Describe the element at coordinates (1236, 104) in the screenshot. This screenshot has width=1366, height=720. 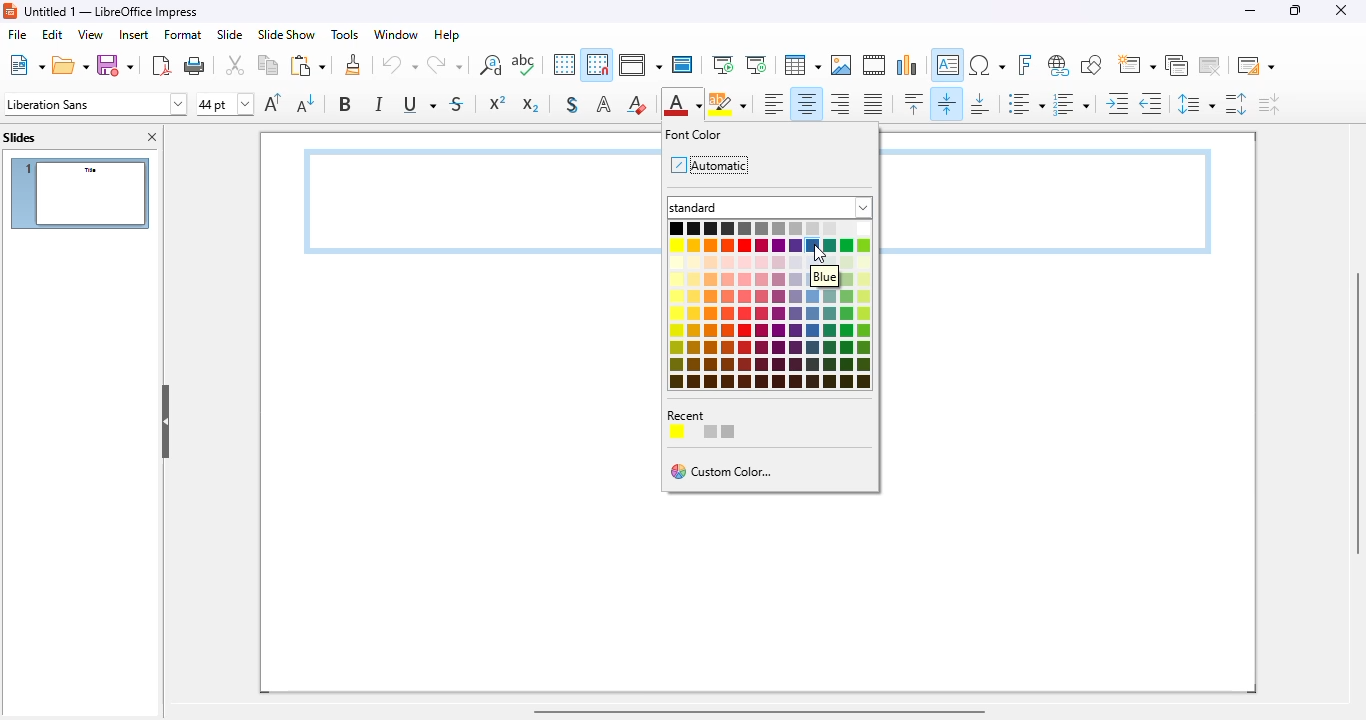
I see `increase paragraph spacing` at that location.